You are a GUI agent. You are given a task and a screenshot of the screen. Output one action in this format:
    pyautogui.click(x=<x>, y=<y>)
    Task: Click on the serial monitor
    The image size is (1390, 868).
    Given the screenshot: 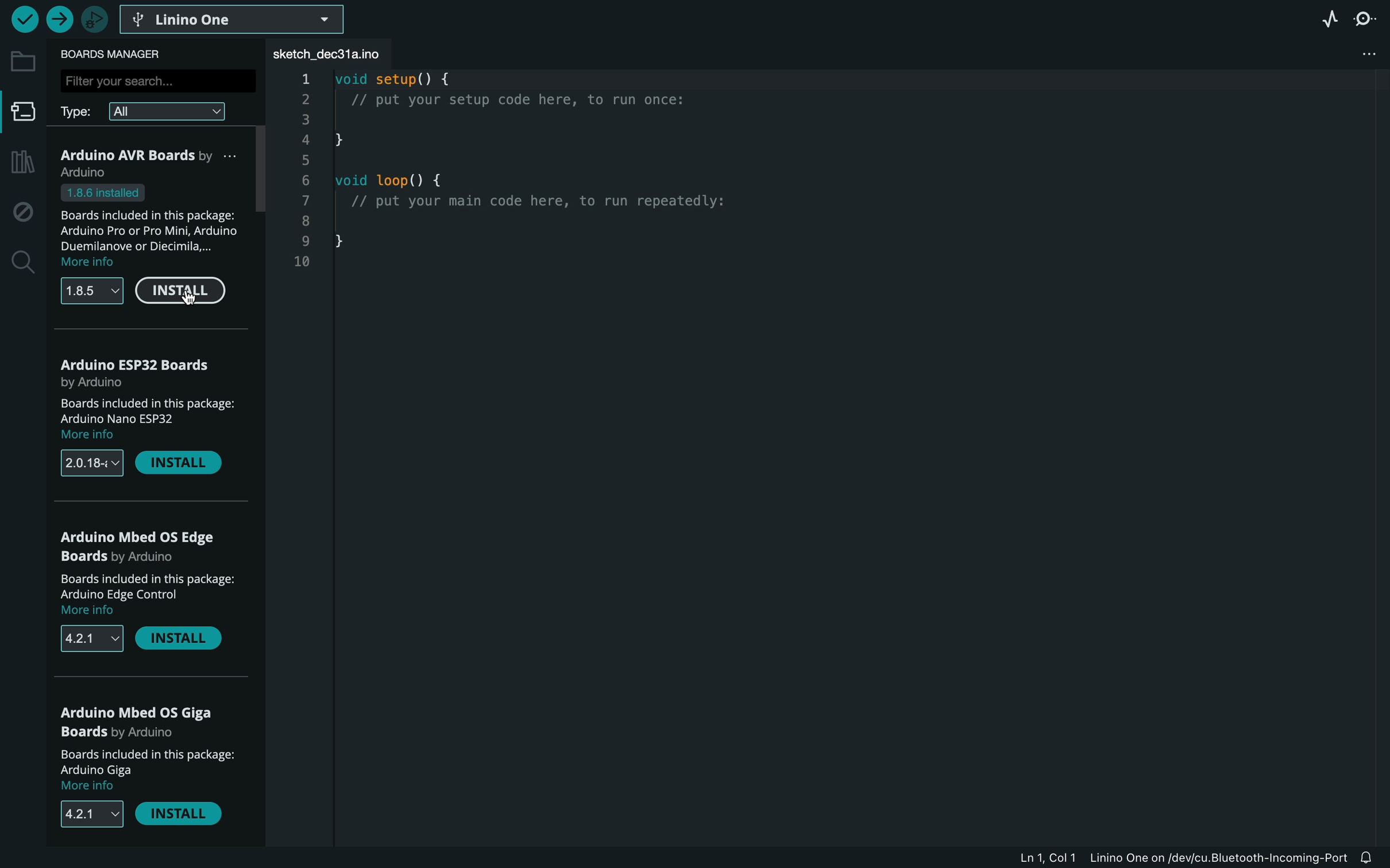 What is the action you would take?
    pyautogui.click(x=1369, y=18)
    